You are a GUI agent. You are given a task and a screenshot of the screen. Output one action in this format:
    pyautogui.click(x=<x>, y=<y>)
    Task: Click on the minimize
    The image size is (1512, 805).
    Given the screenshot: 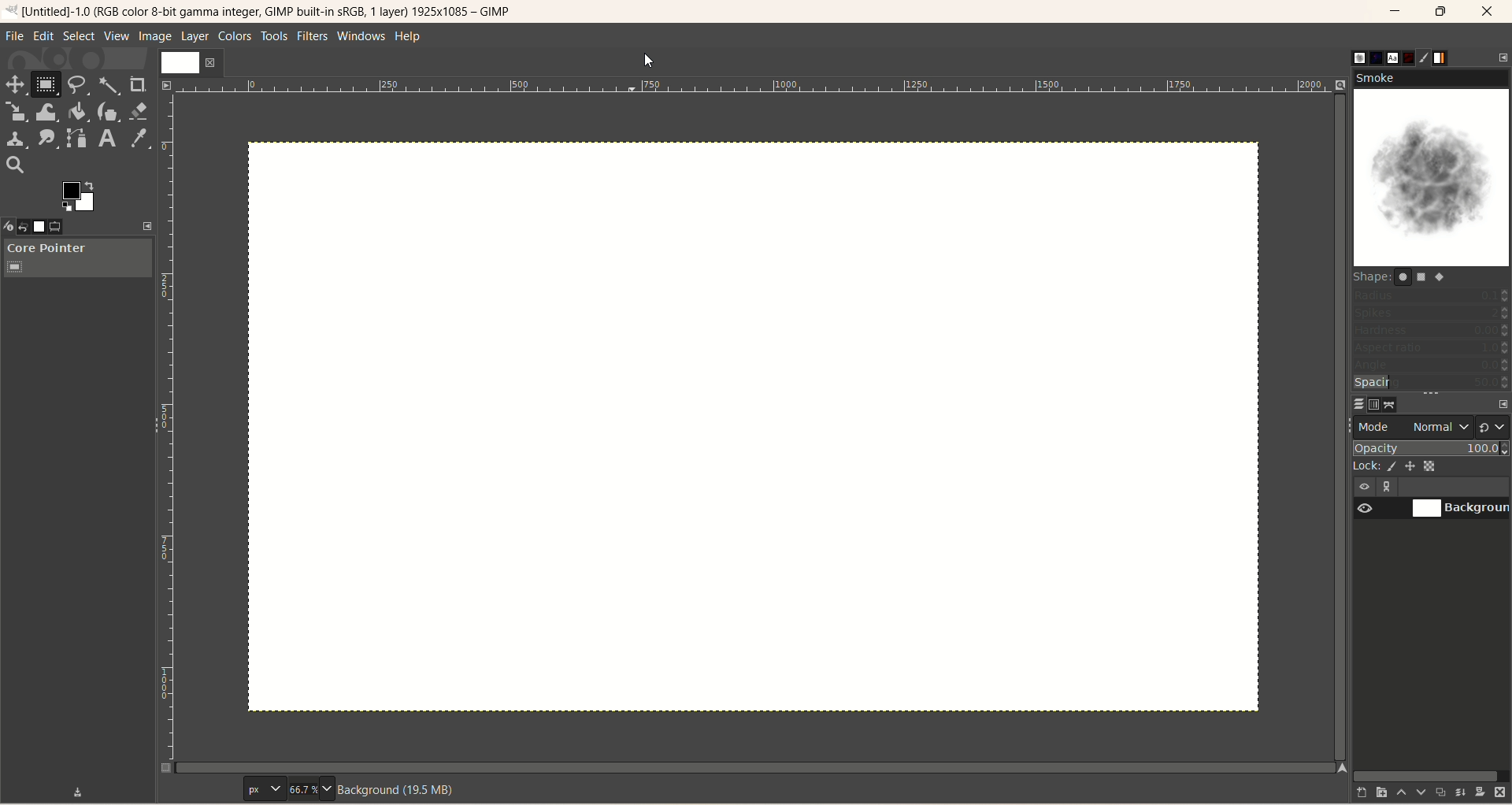 What is the action you would take?
    pyautogui.click(x=1396, y=11)
    